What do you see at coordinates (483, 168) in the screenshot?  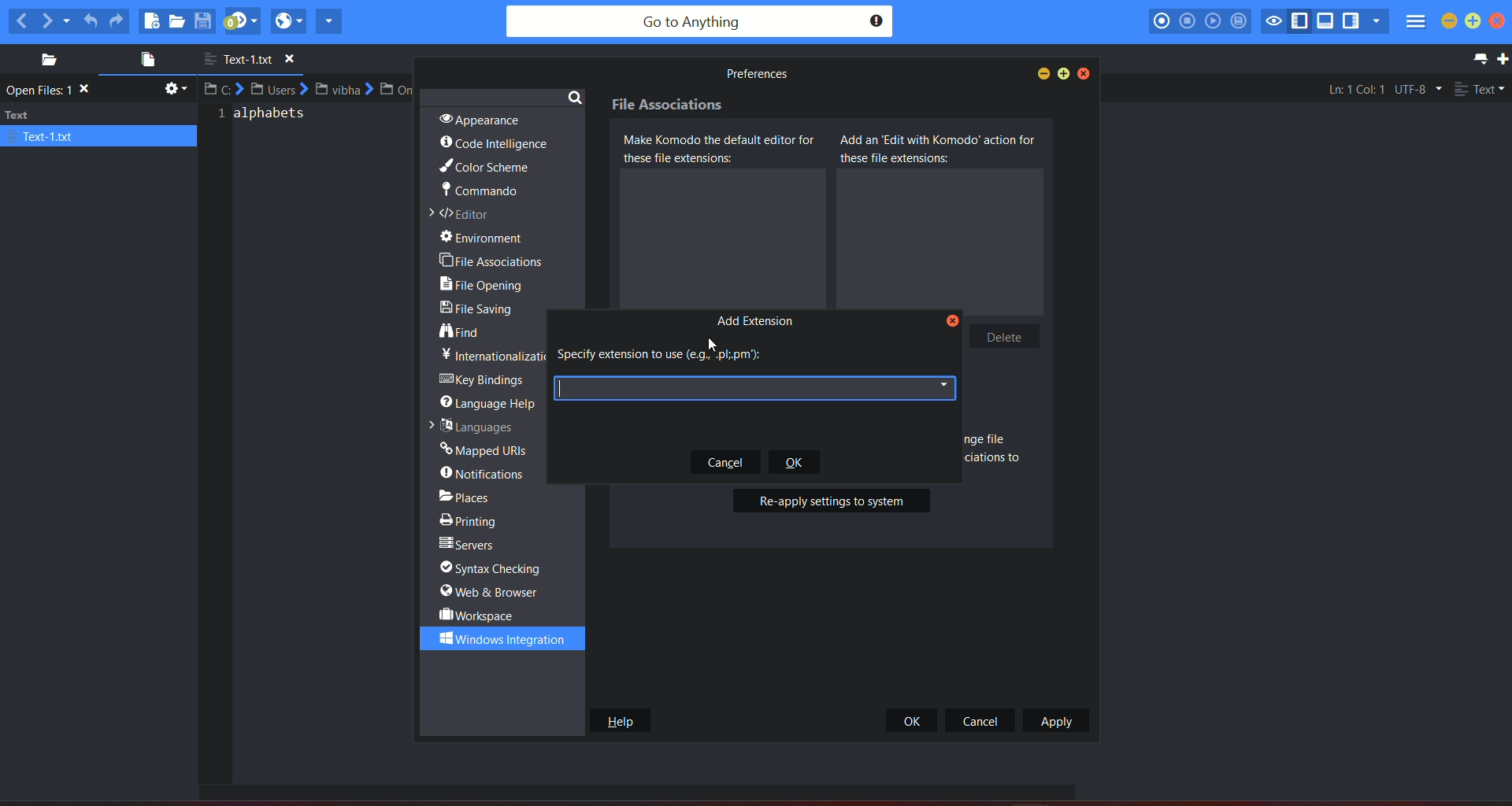 I see `color scheme` at bounding box center [483, 168].